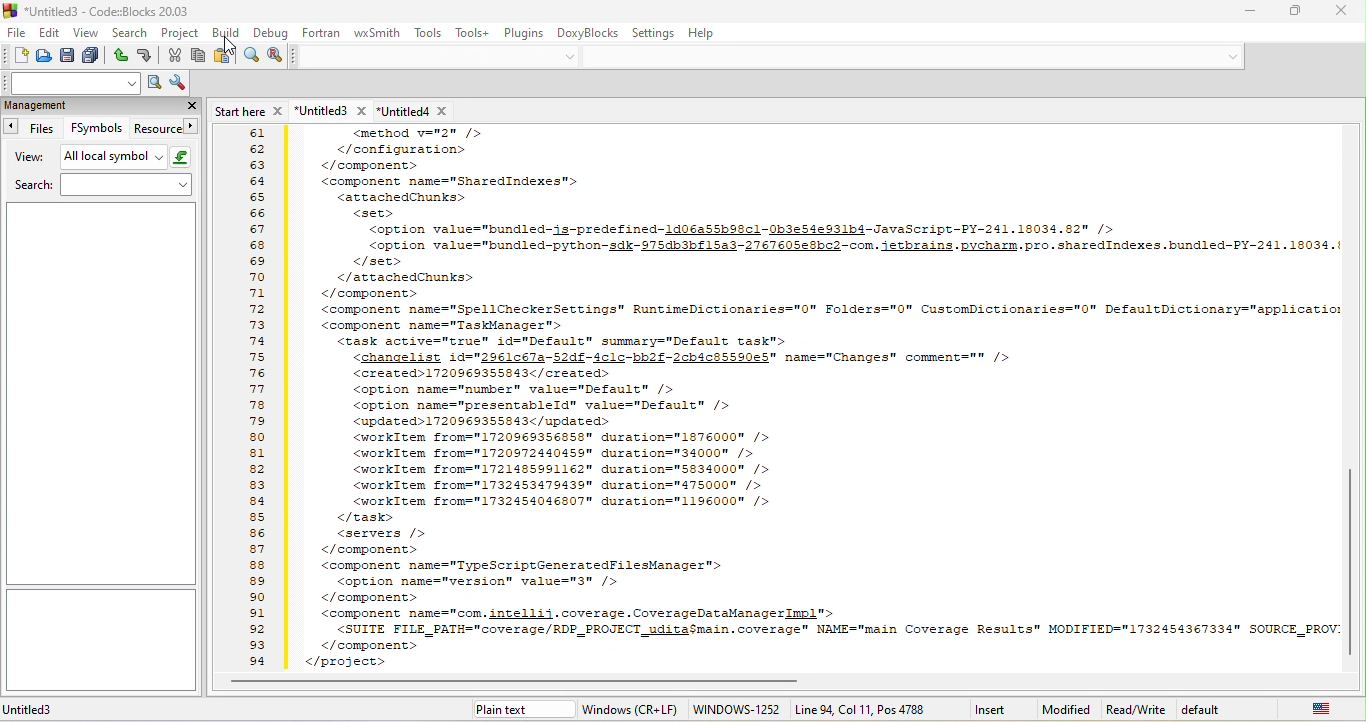 The width and height of the screenshot is (1366, 722). Describe the element at coordinates (180, 33) in the screenshot. I see `project` at that location.